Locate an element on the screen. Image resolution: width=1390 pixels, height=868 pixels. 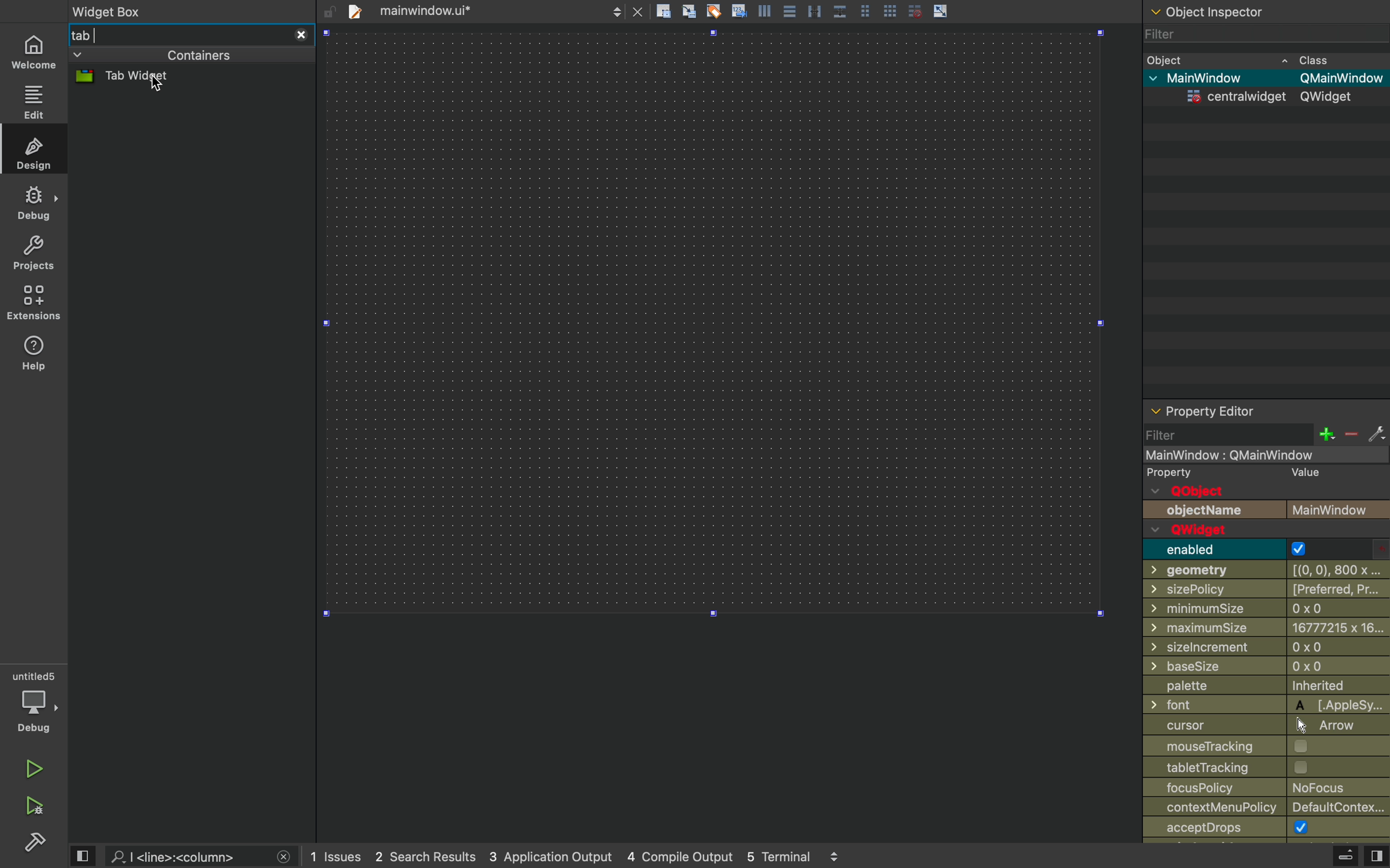
next/back is located at coordinates (616, 11).